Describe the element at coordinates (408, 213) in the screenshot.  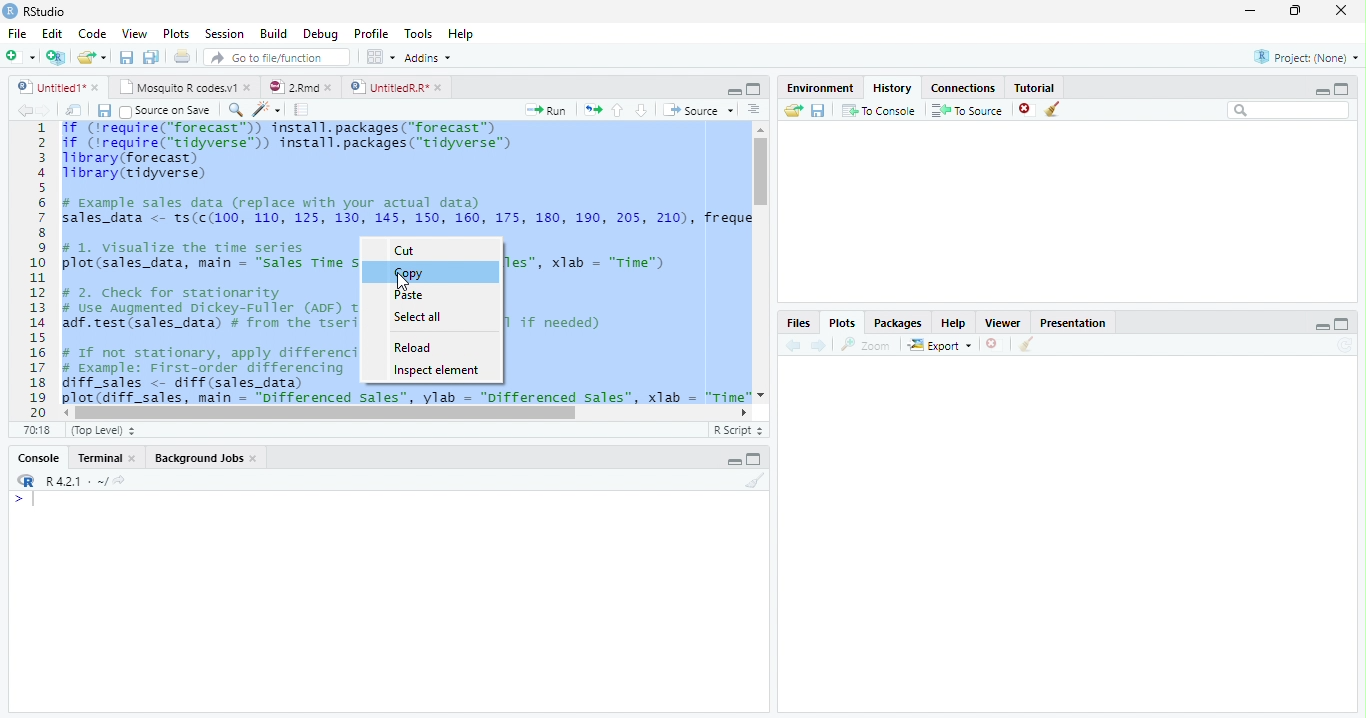
I see `# Example sales data (replace with your actual data)
sales_data <- ts(c(100, 110, 125, 130, 145, 150, 160, 175, 180, 190, 205, 210), freque` at that location.